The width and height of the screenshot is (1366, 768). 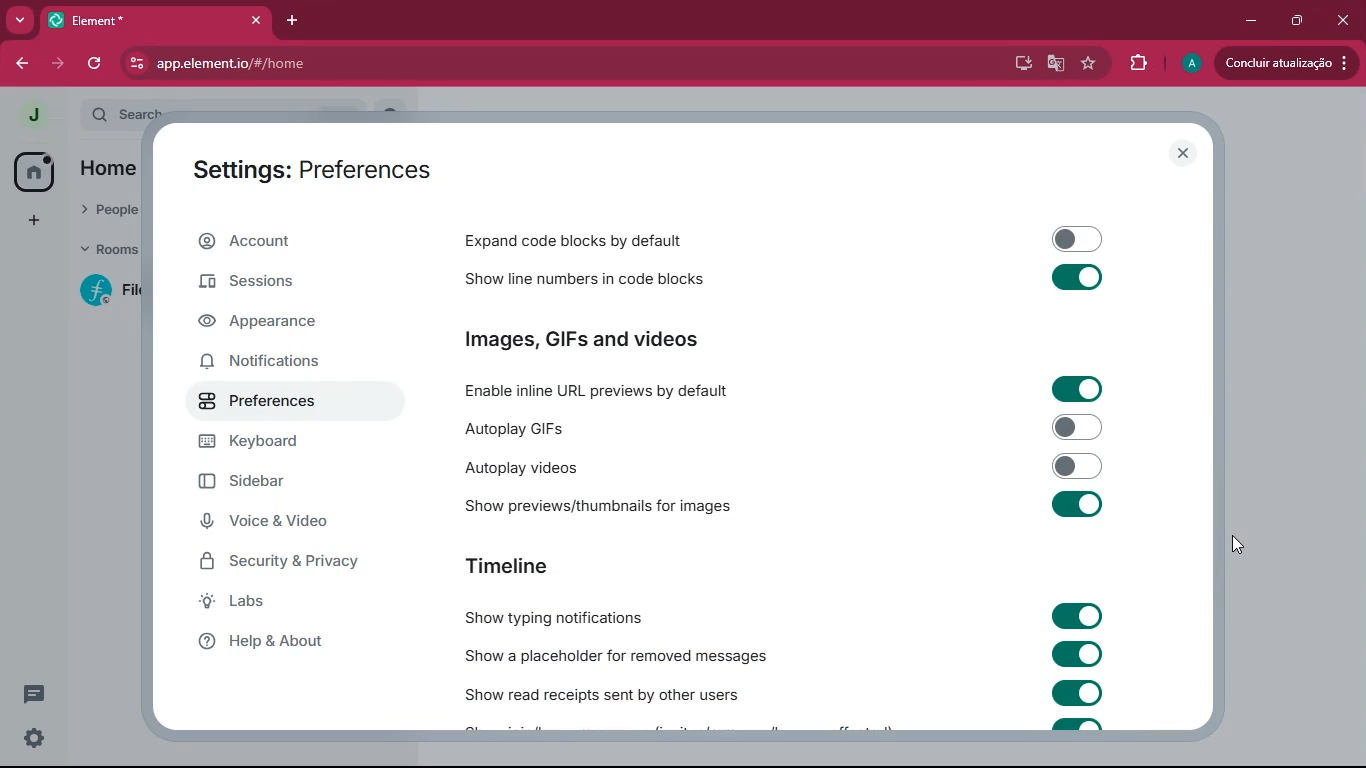 I want to click on toggle on/off, so click(x=1079, y=427).